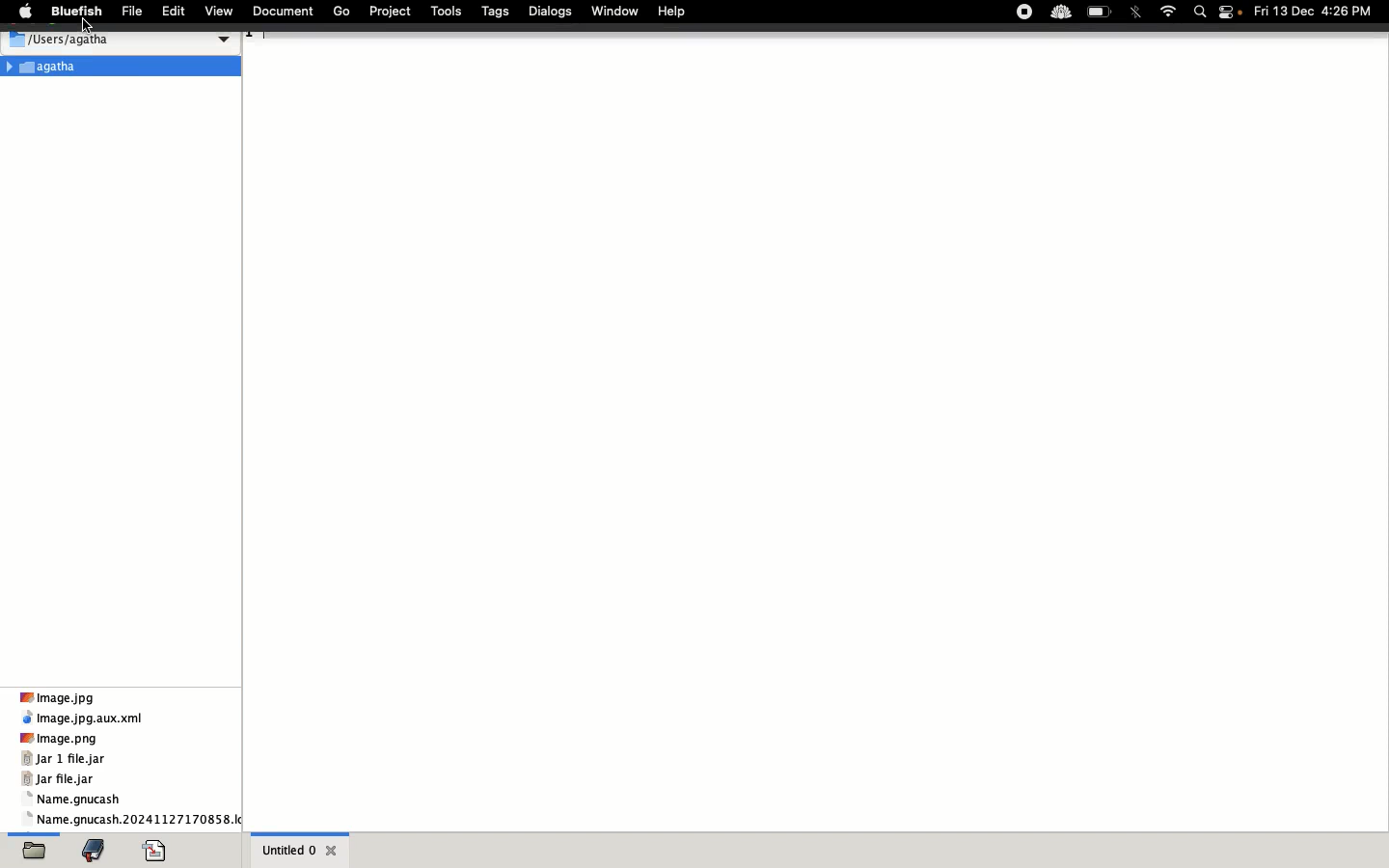 The height and width of the screenshot is (868, 1389). What do you see at coordinates (64, 697) in the screenshot?
I see `Image` at bounding box center [64, 697].